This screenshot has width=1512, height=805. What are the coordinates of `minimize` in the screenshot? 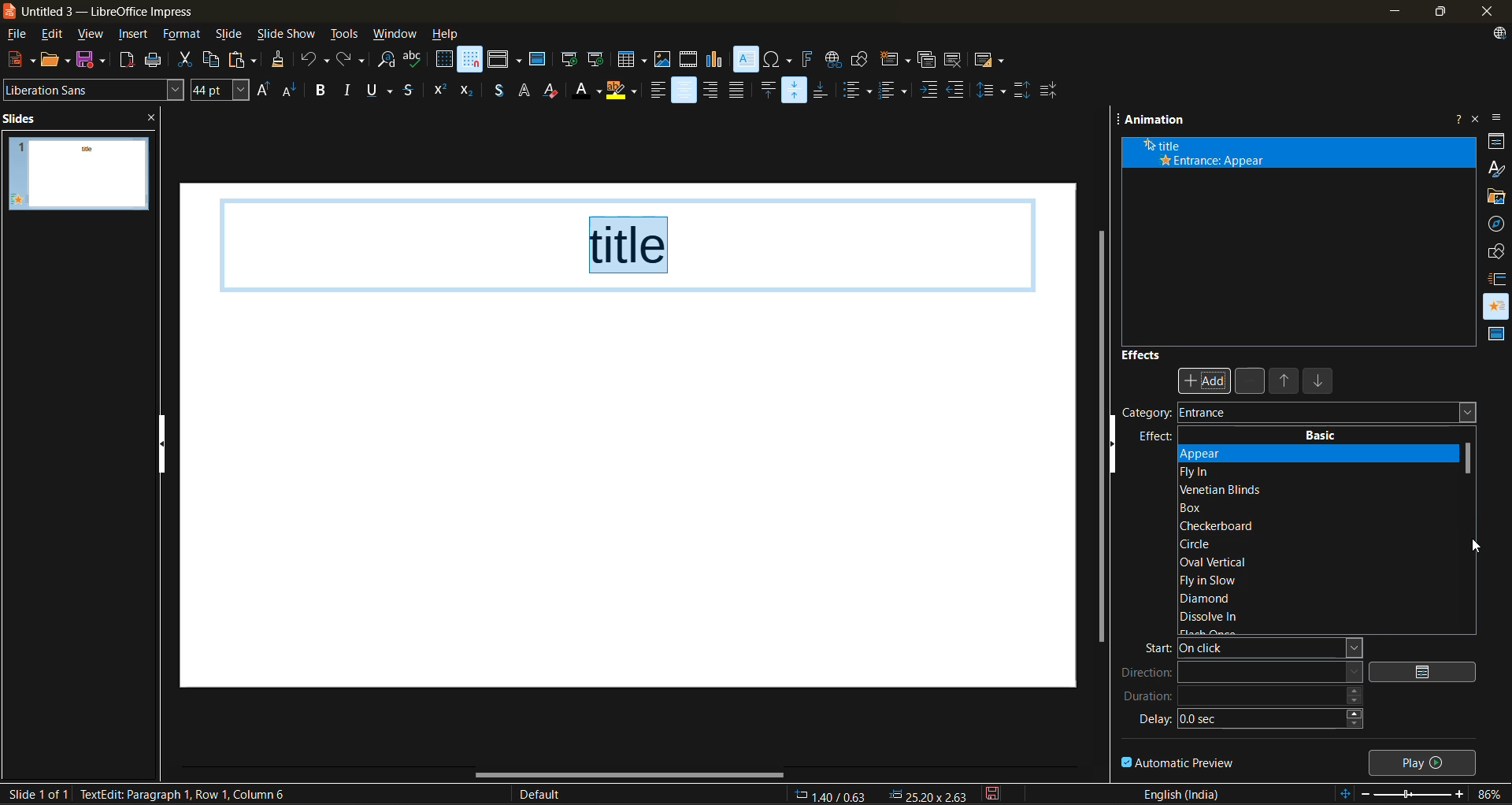 It's located at (1392, 11).